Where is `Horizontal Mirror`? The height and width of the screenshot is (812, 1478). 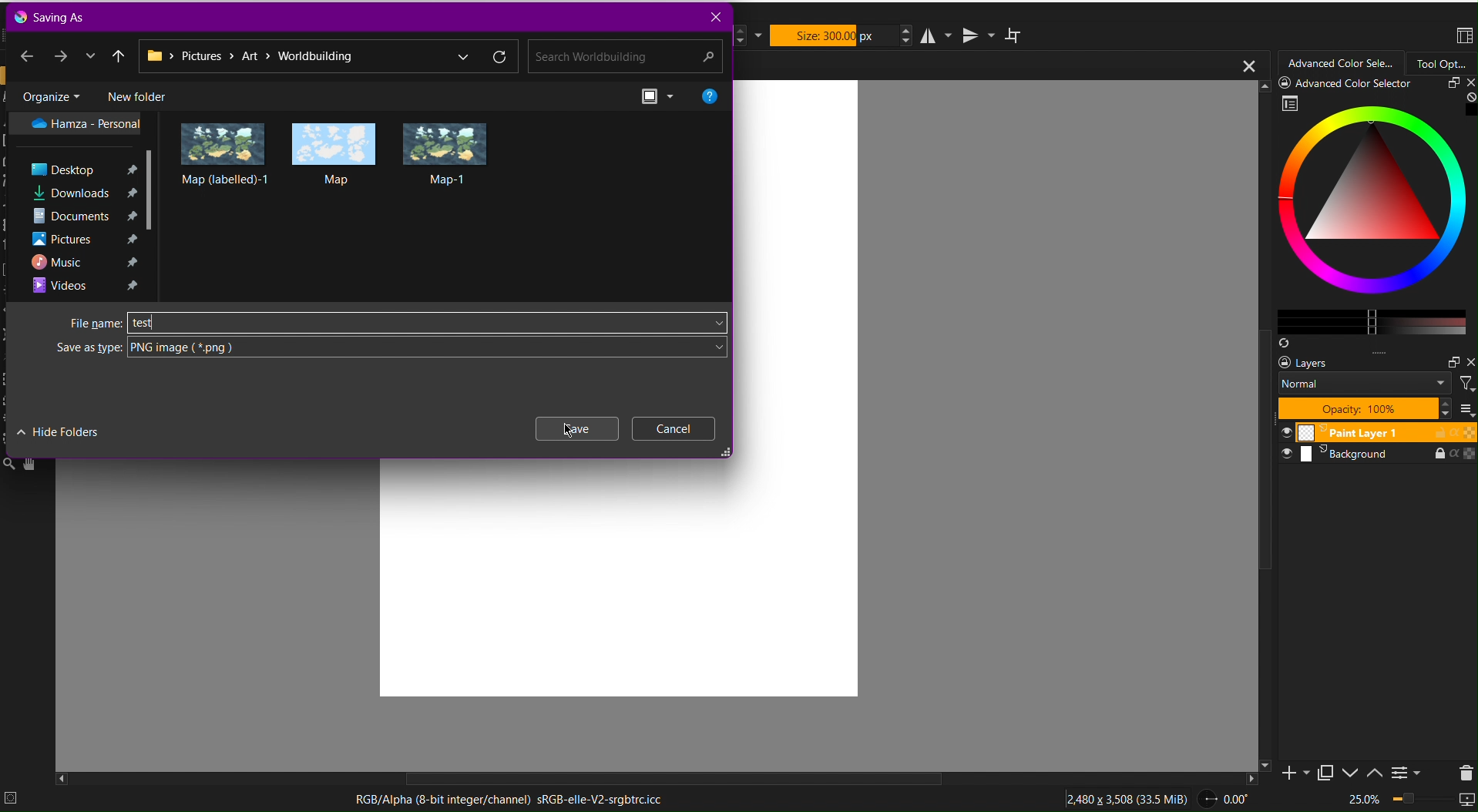 Horizontal Mirror is located at coordinates (938, 35).